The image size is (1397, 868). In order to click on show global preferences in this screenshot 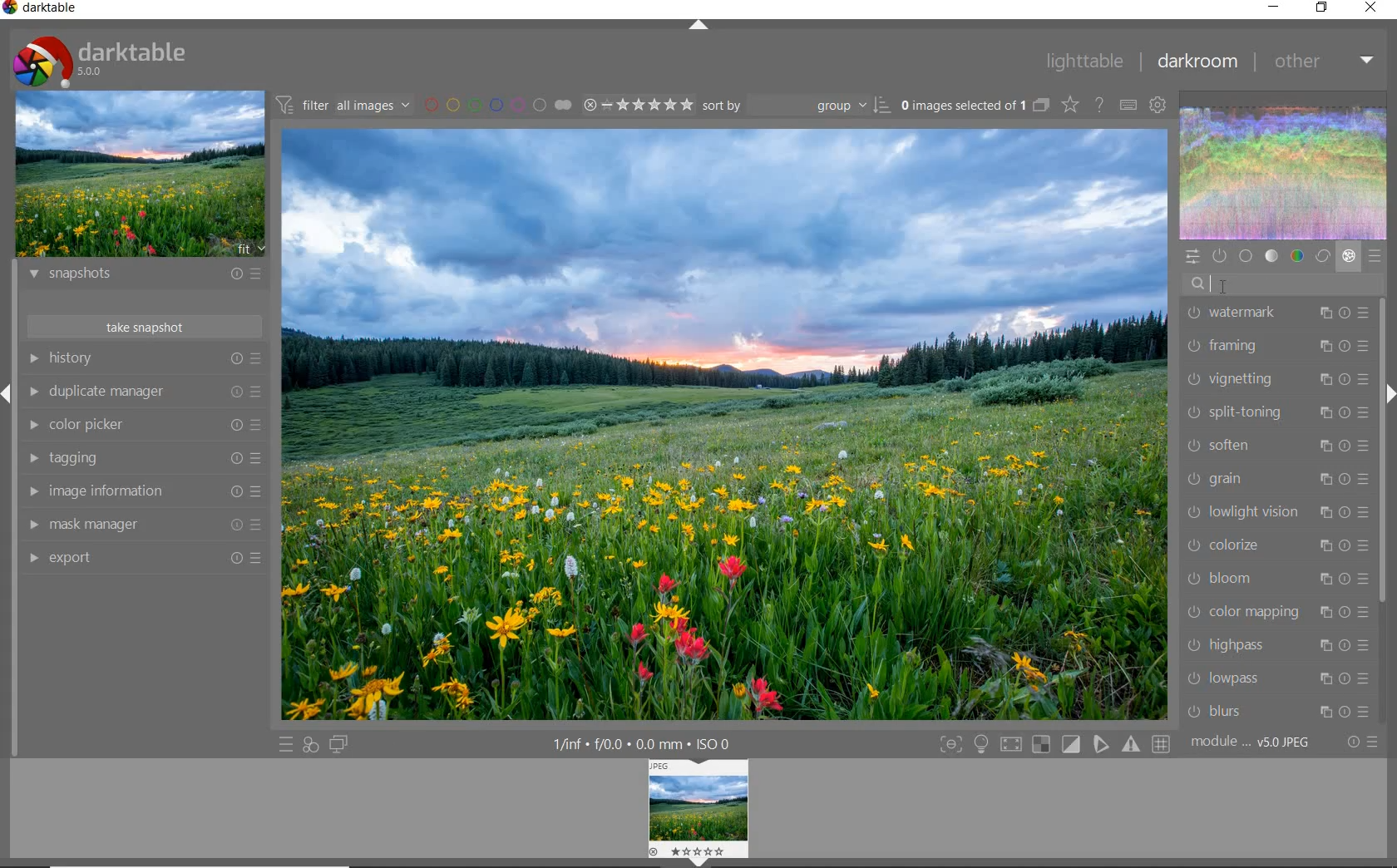, I will do `click(1158, 106)`.